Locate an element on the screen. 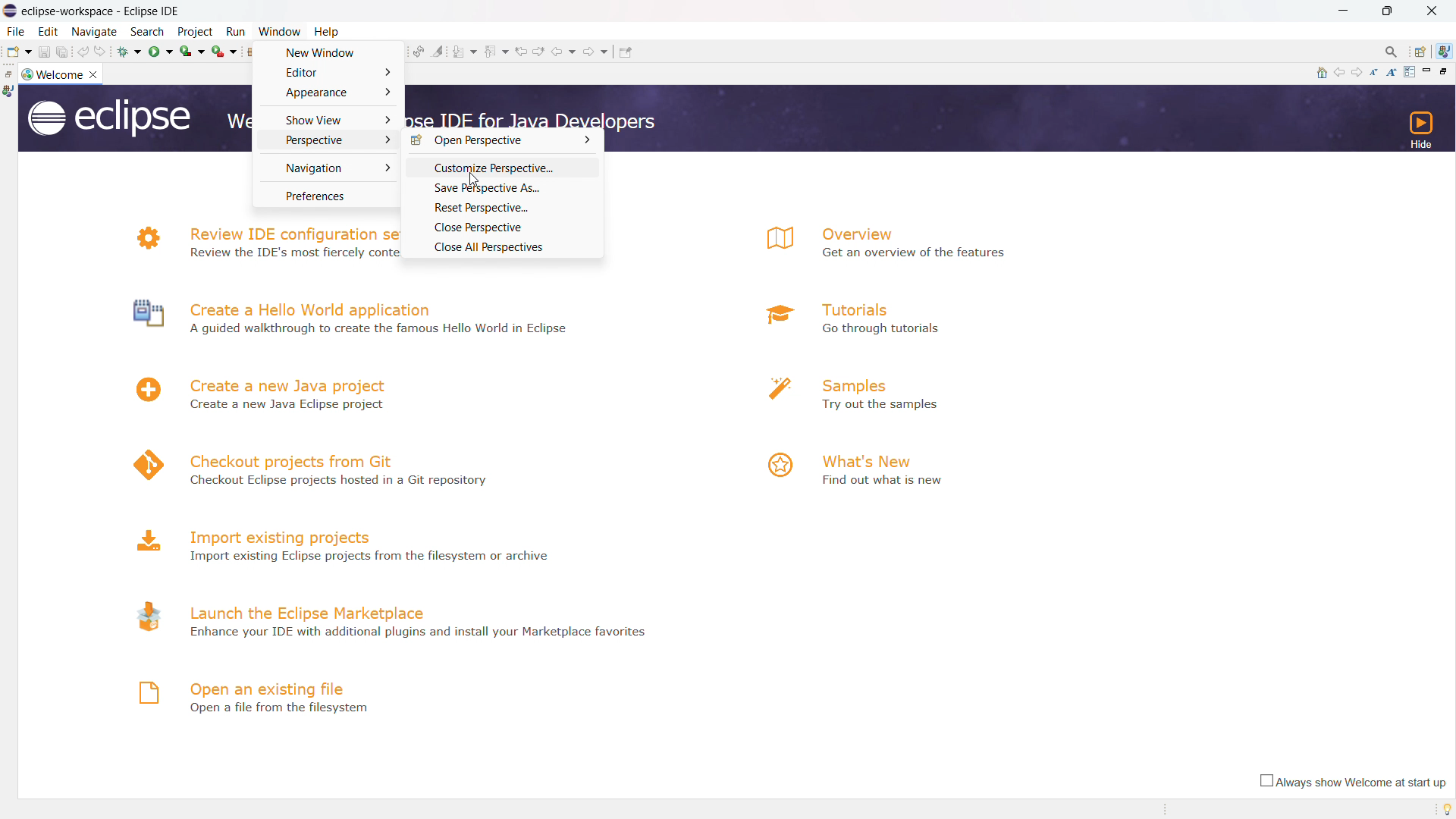 This screenshot has height=819, width=1456. toggle ant mark occurances is located at coordinates (438, 52).